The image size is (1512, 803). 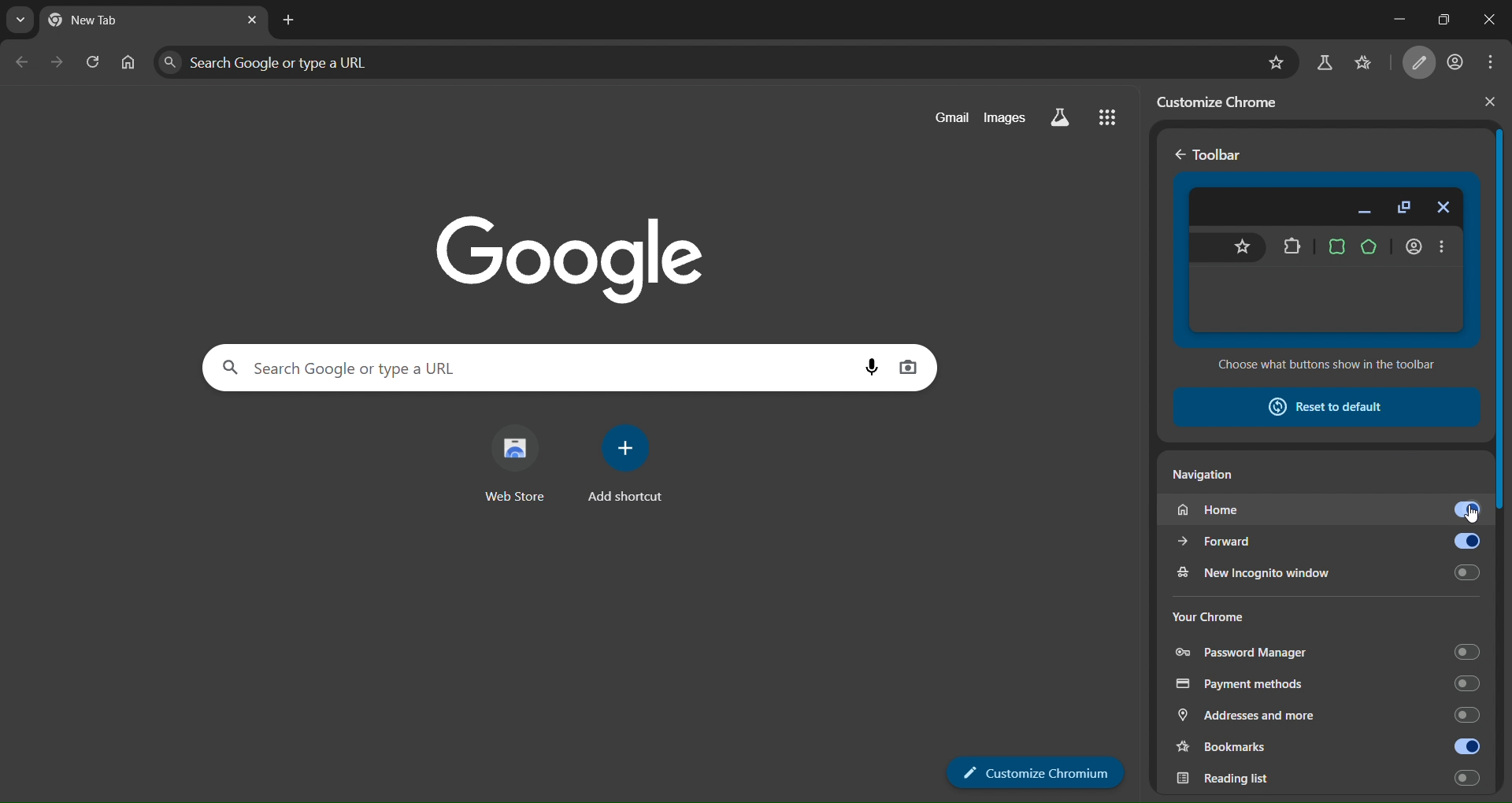 I want to click on toggle, so click(x=1464, y=747).